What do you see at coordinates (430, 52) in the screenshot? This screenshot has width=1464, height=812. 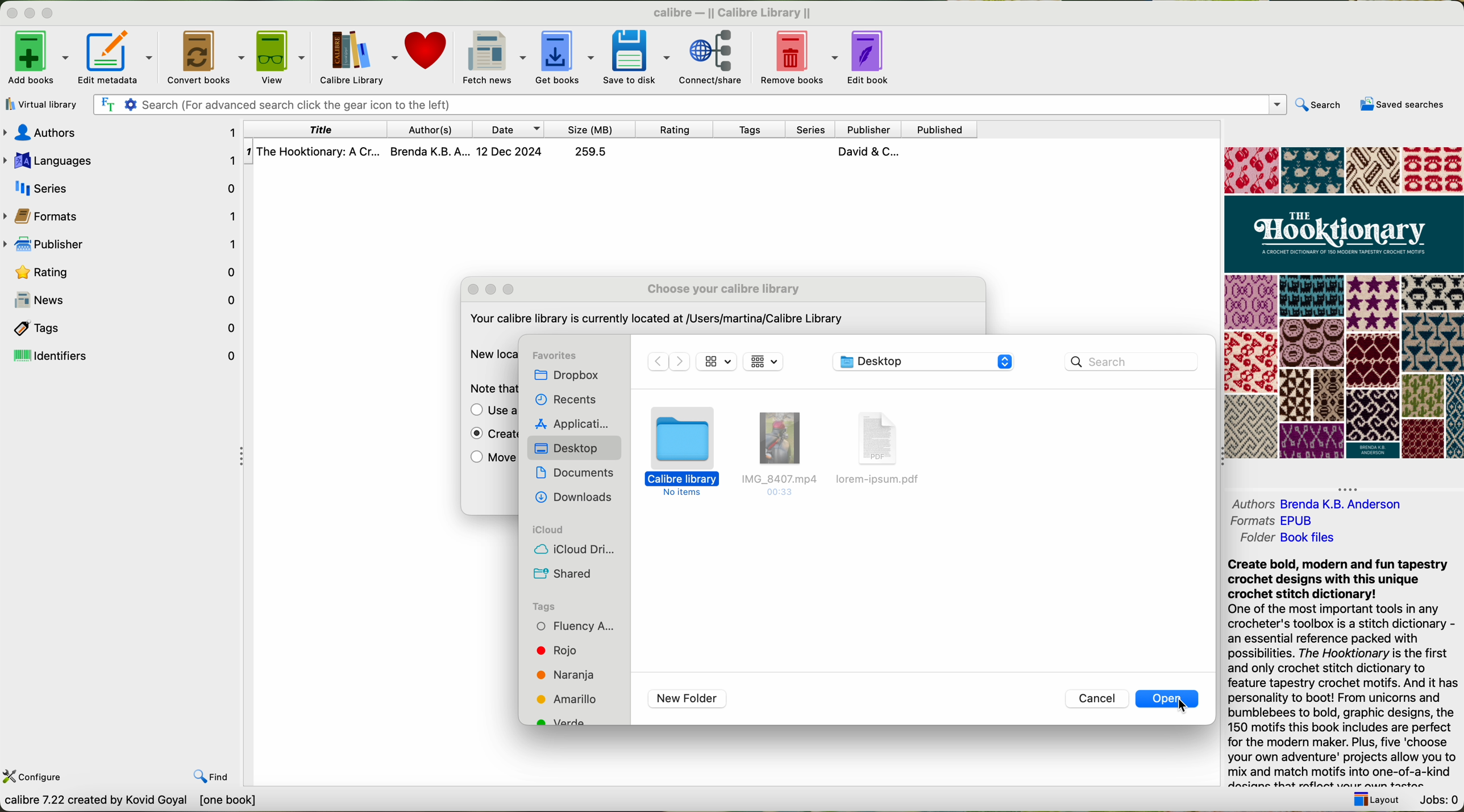 I see `donate` at bounding box center [430, 52].